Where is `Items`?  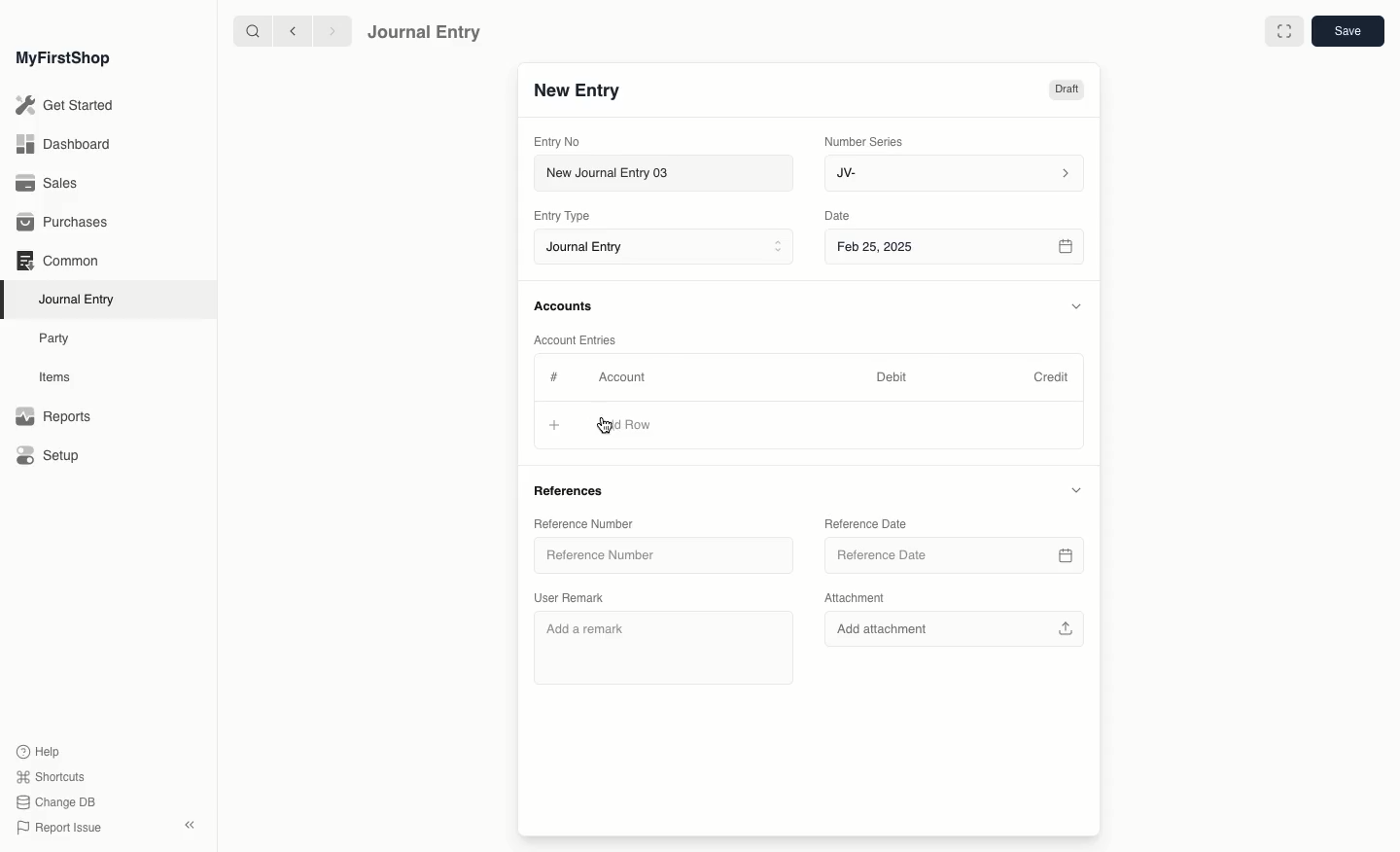 Items is located at coordinates (60, 377).